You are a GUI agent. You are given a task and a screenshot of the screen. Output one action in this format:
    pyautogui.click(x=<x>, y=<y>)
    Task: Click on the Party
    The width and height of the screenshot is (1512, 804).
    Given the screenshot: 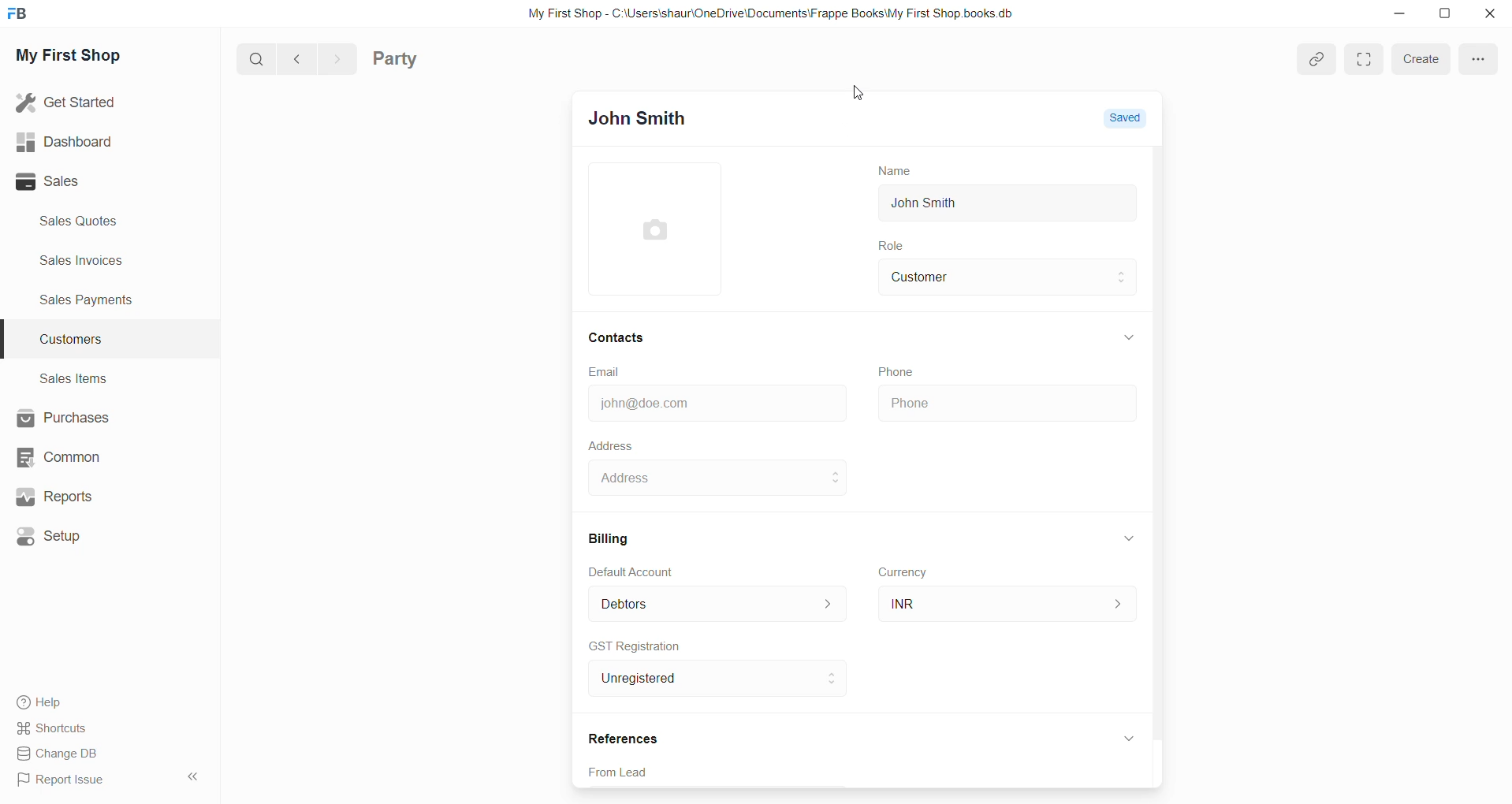 What is the action you would take?
    pyautogui.click(x=400, y=61)
    